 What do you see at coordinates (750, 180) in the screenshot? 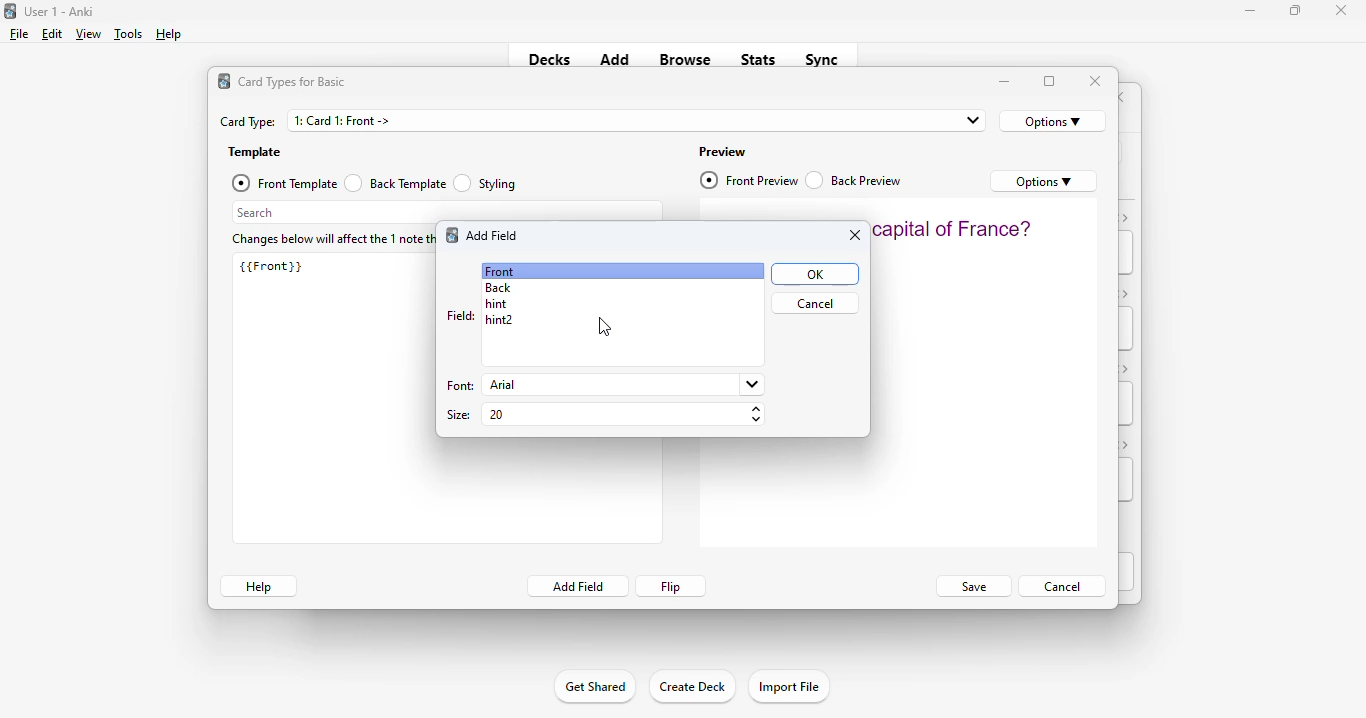
I see `front preview` at bounding box center [750, 180].